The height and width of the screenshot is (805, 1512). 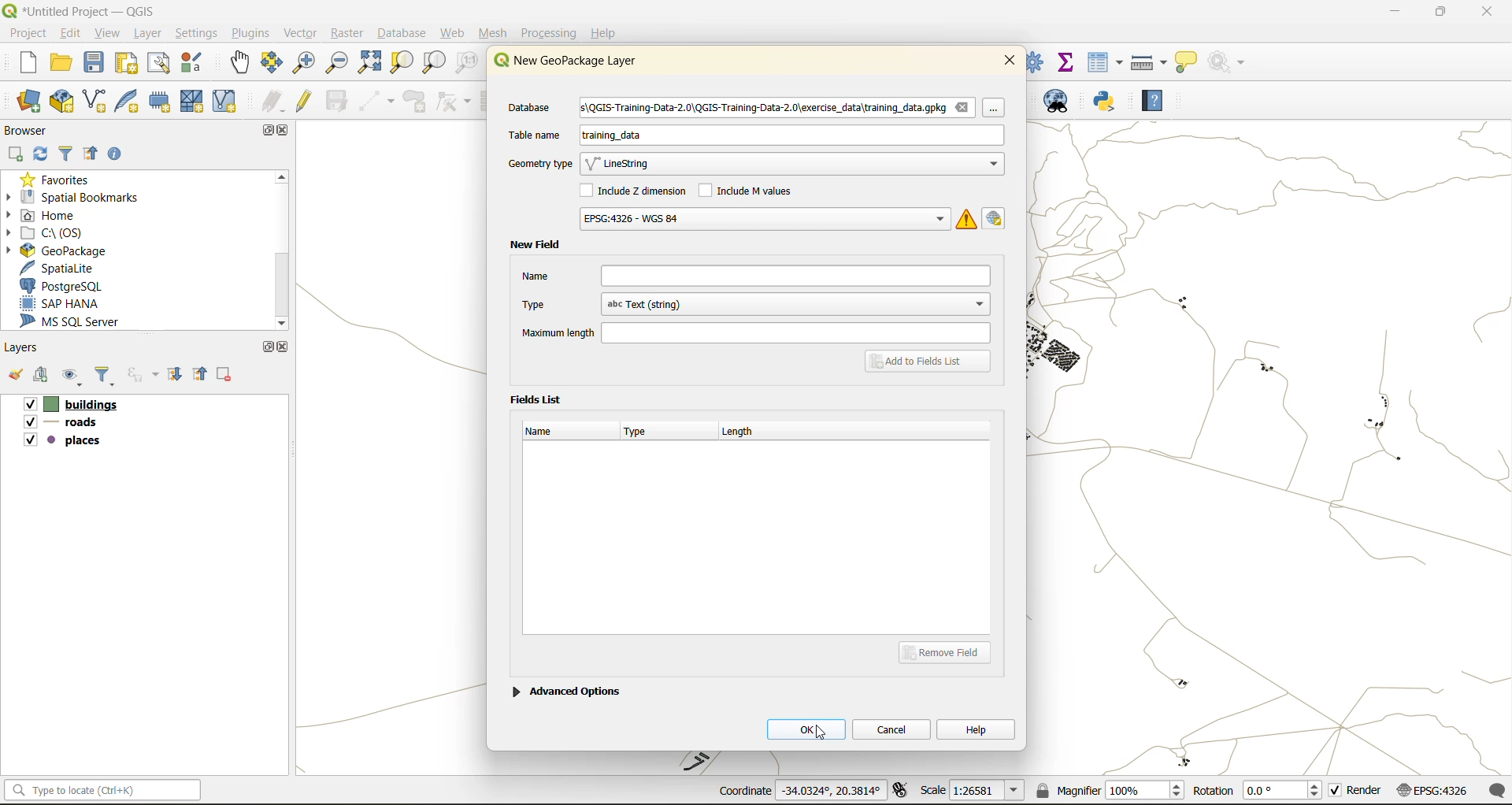 What do you see at coordinates (999, 112) in the screenshot?
I see `More options` at bounding box center [999, 112].